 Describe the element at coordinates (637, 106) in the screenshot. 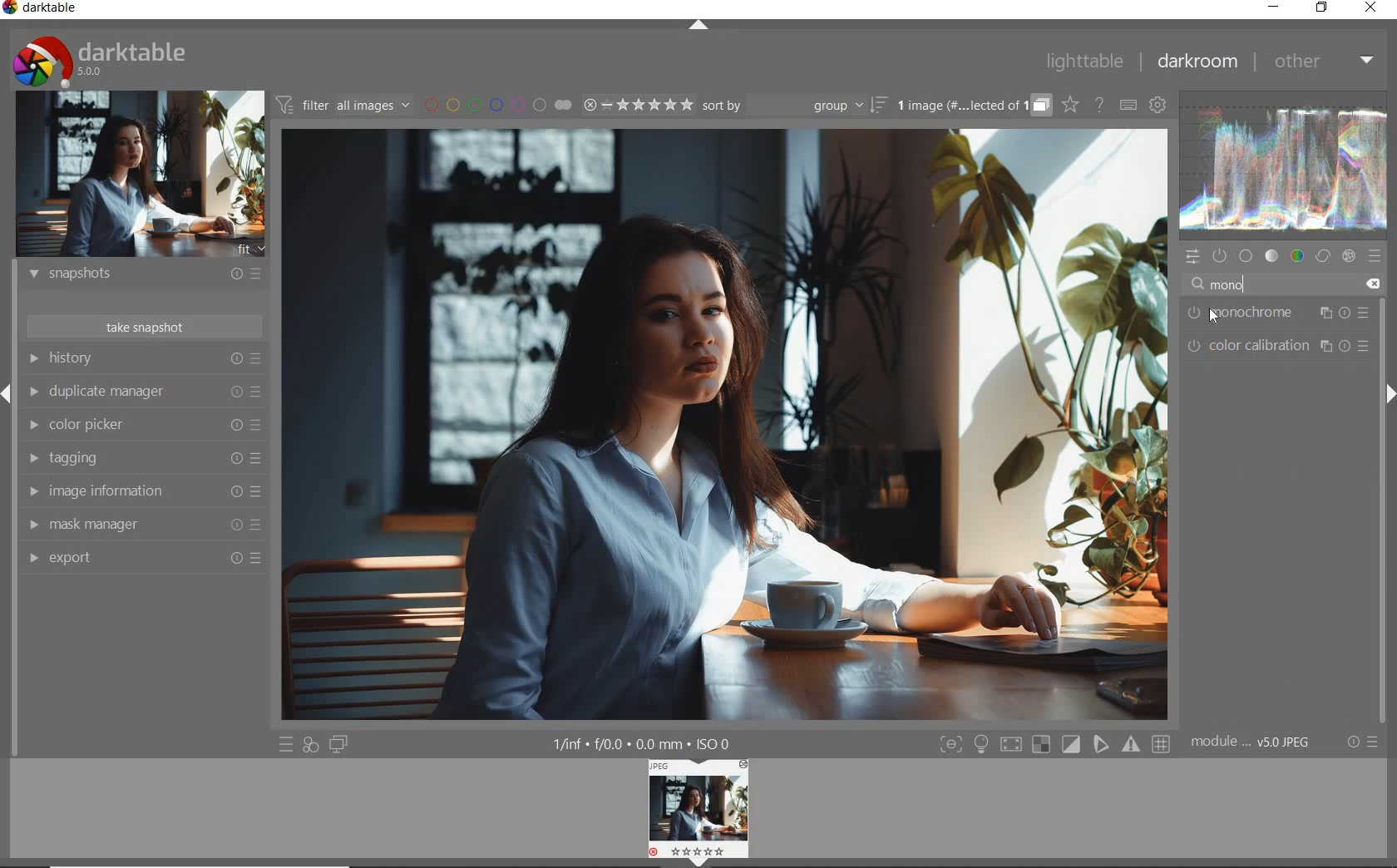

I see `range ratings for selected images` at that location.